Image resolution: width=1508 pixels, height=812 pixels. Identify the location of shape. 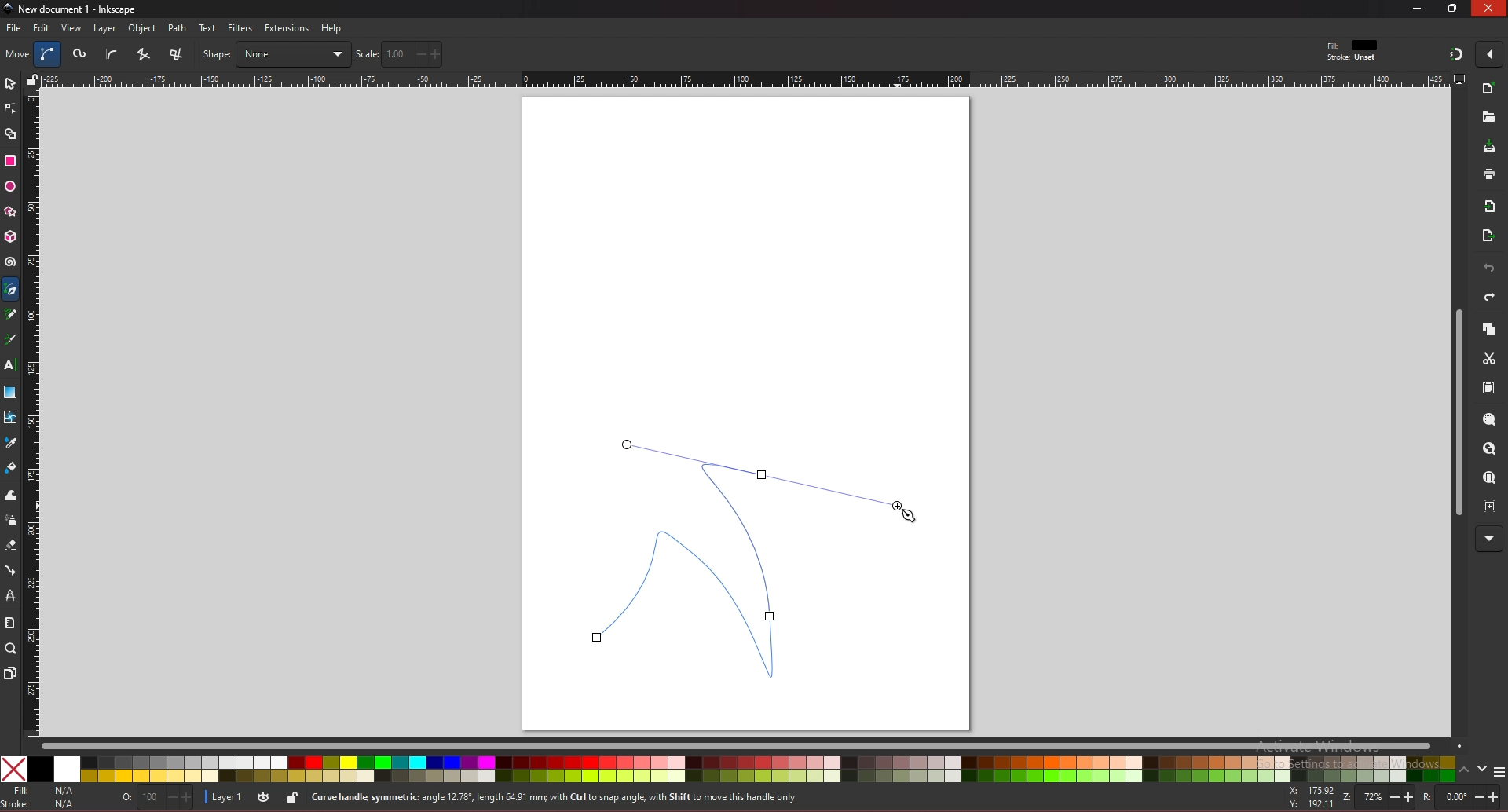
(276, 54).